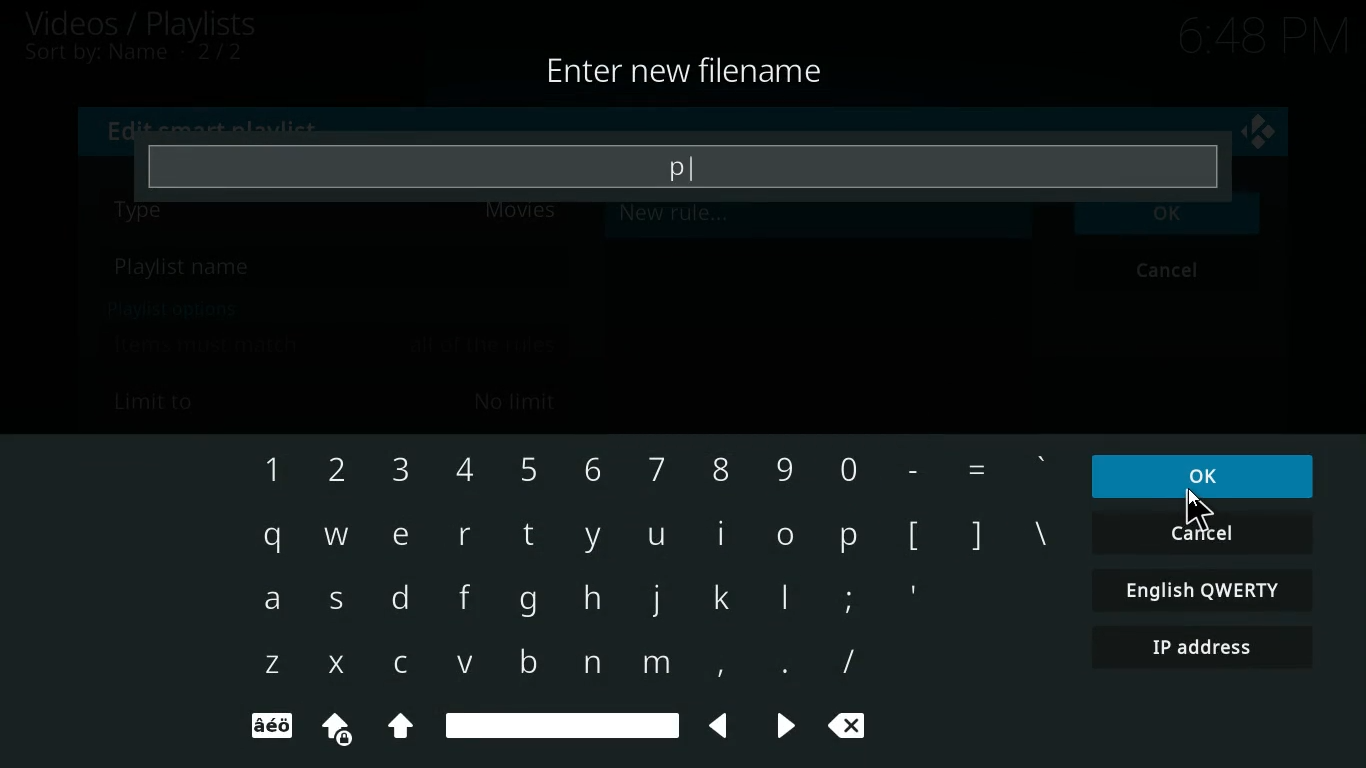  What do you see at coordinates (727, 597) in the screenshot?
I see `k` at bounding box center [727, 597].